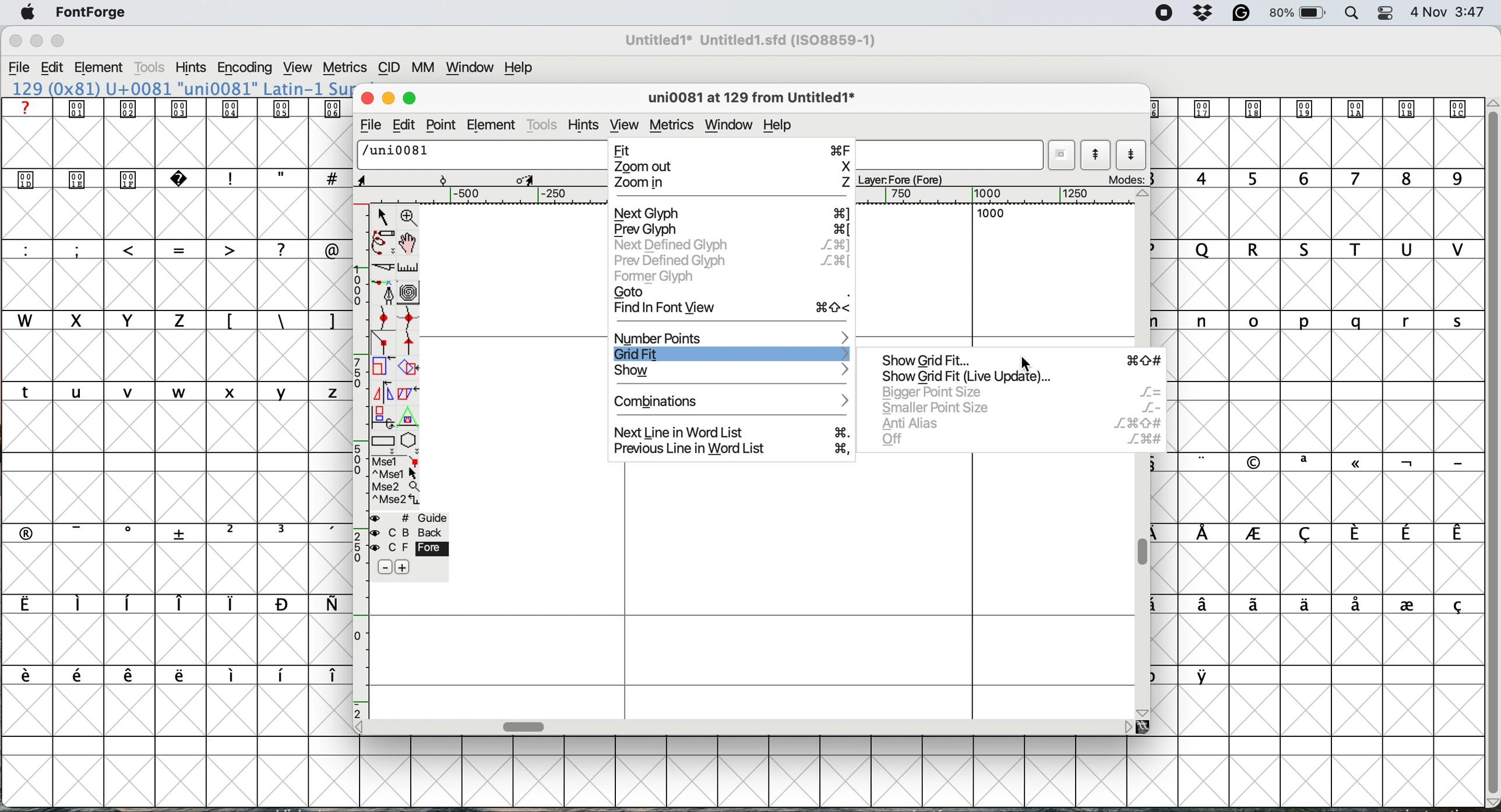 This screenshot has width=1501, height=812. I want to click on MM, so click(424, 68).